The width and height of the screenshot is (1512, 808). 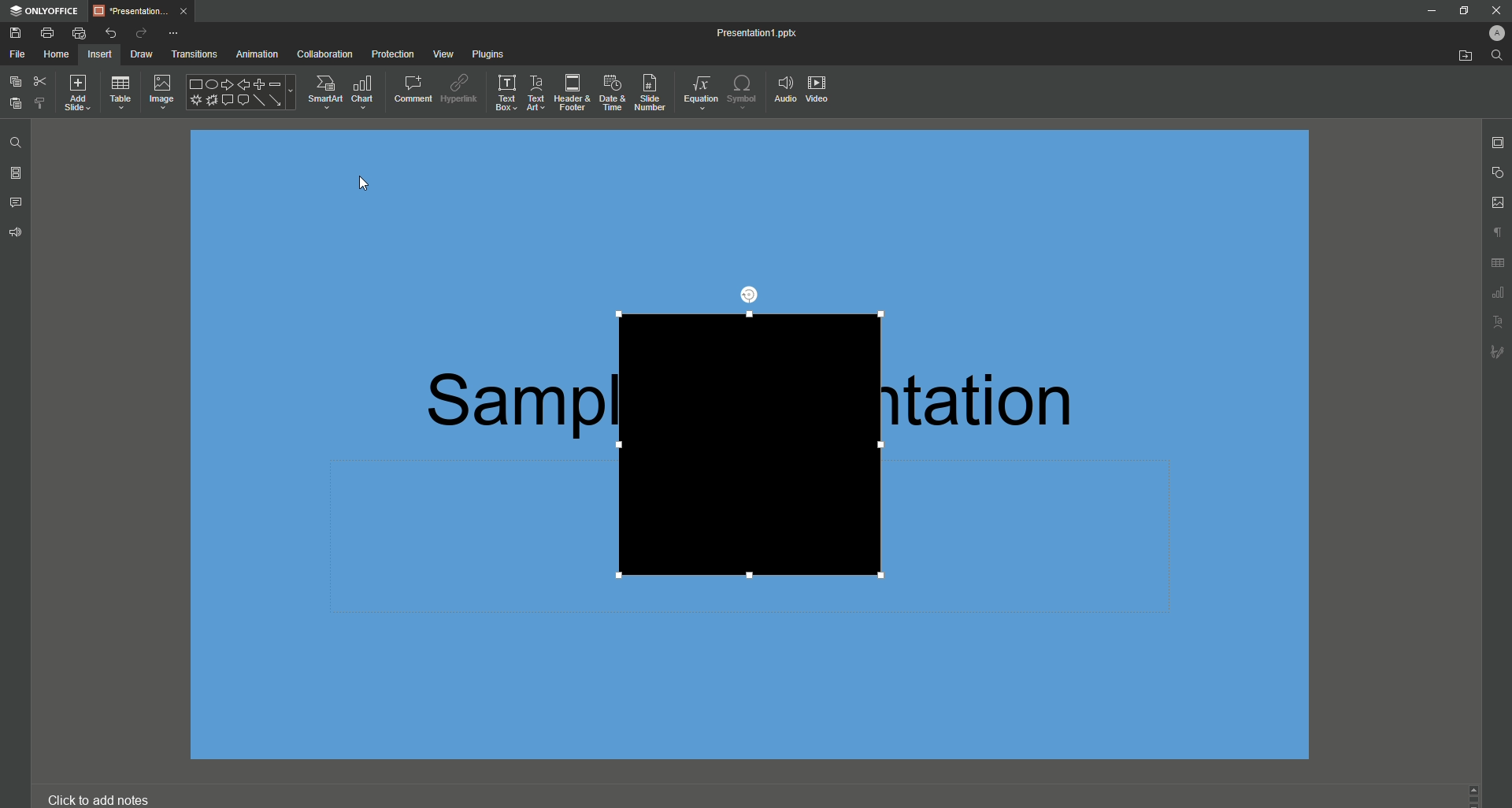 I want to click on Profile, so click(x=1491, y=32).